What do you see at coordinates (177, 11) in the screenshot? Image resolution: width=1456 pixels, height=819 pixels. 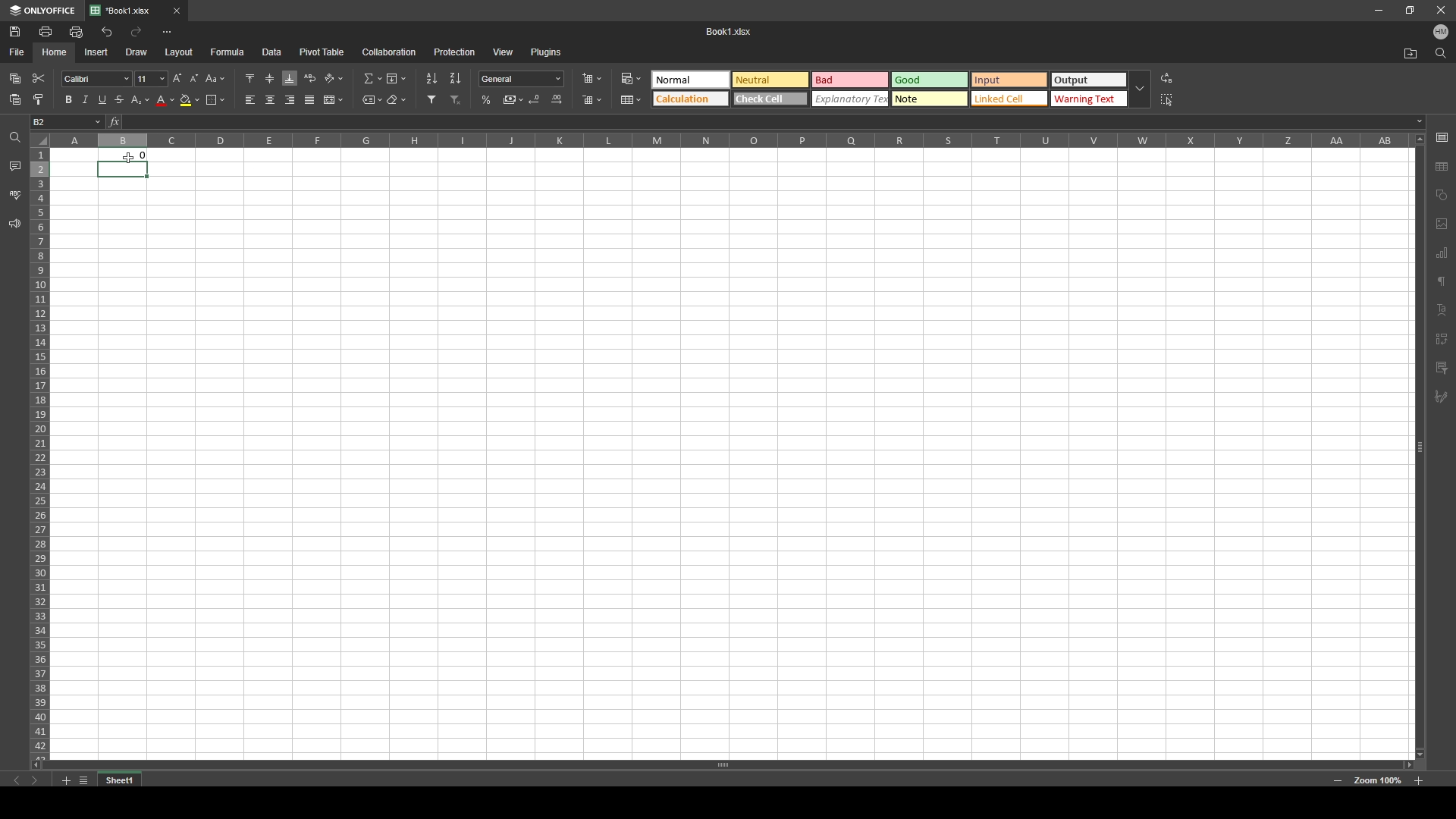 I see `close` at bounding box center [177, 11].